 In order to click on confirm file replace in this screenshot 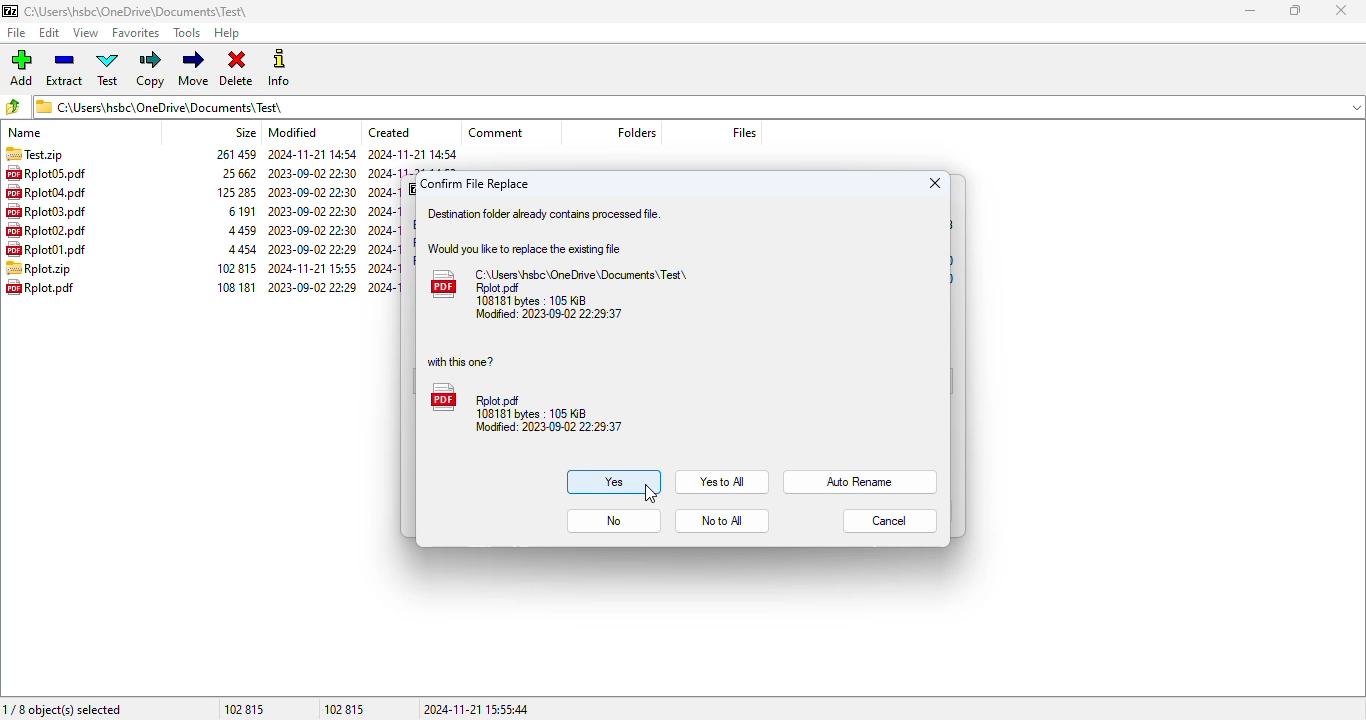, I will do `click(474, 184)`.